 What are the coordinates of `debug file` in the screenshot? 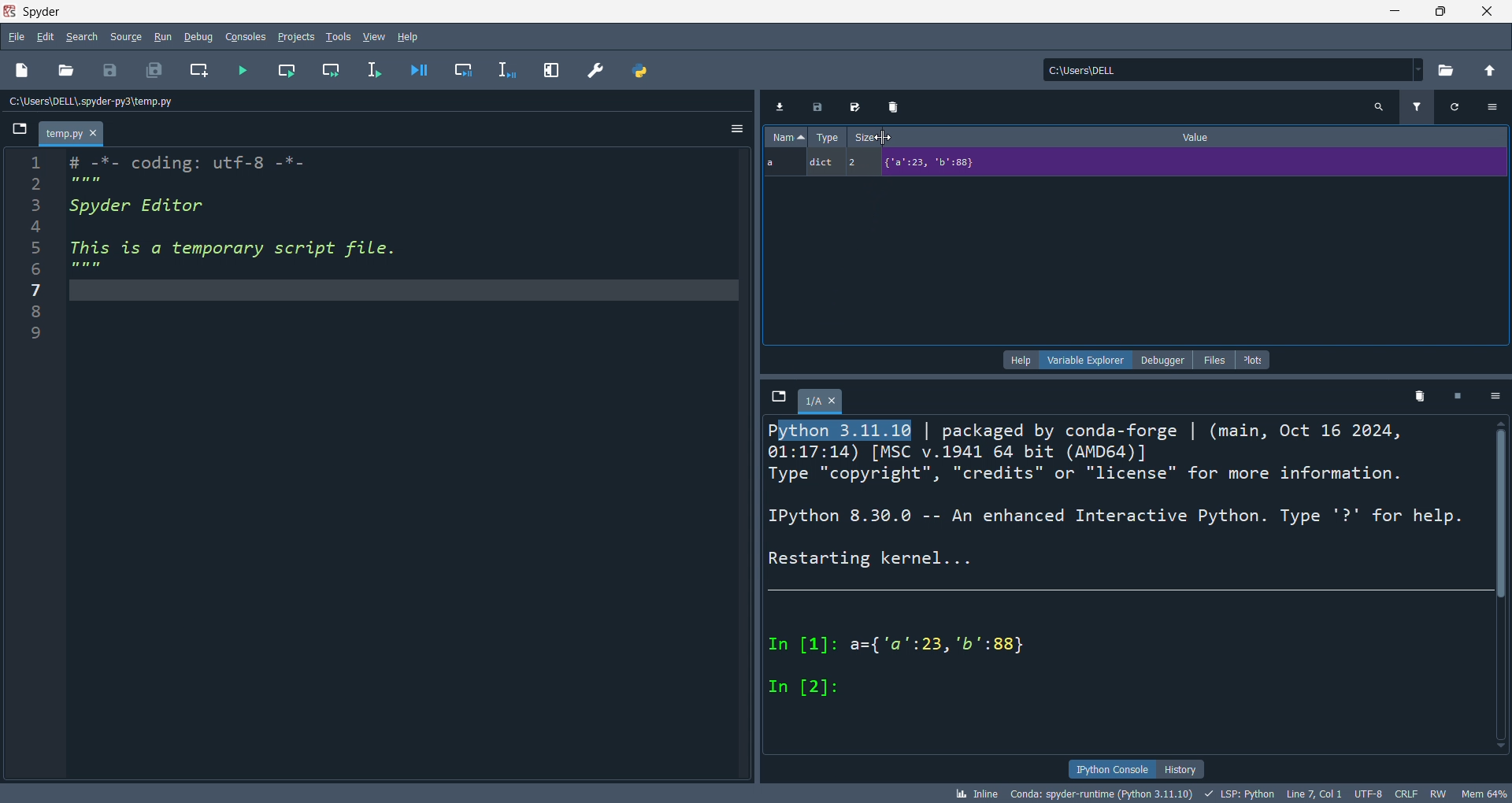 It's located at (423, 70).